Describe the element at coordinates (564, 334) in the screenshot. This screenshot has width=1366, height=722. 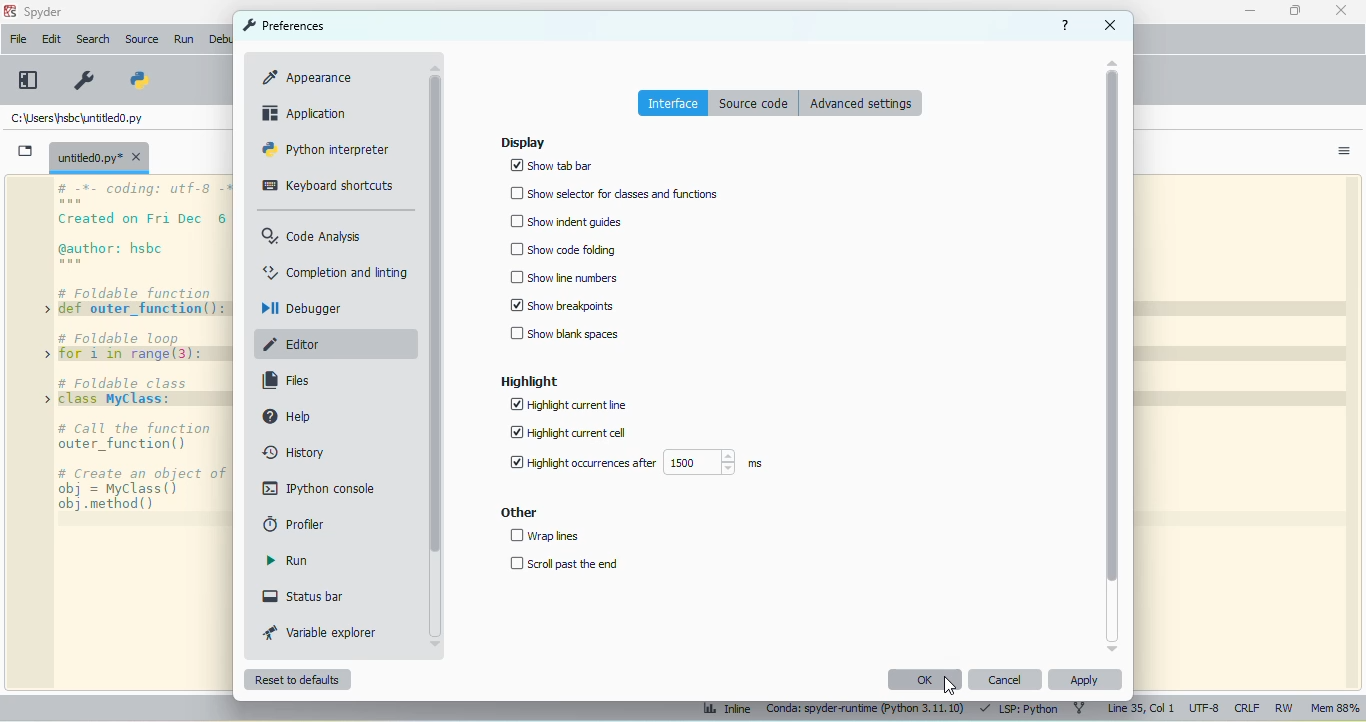
I see `show blank spaces` at that location.